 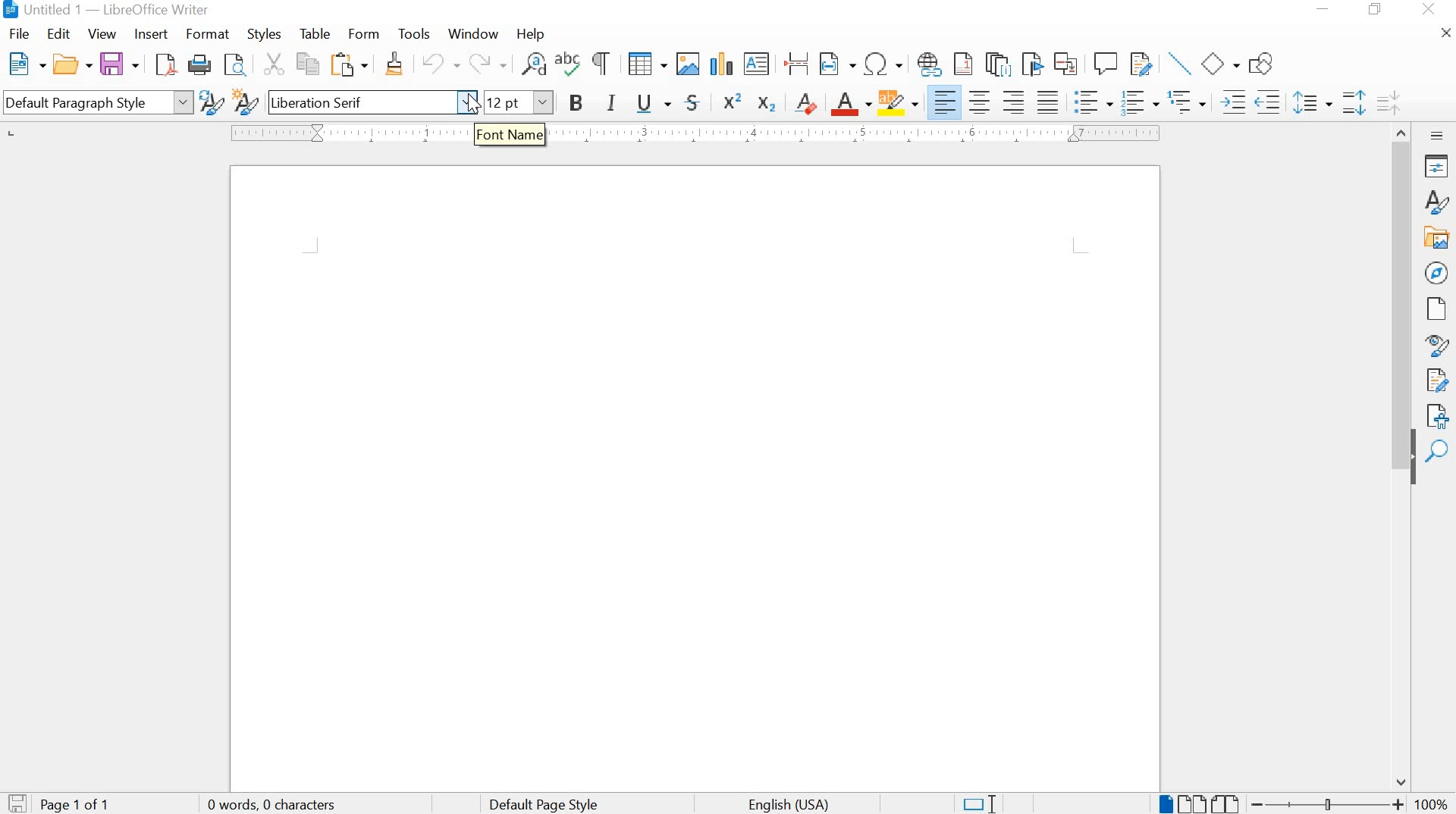 I want to click on ZOOM OUT OR ZOOM IN, so click(x=1328, y=803).